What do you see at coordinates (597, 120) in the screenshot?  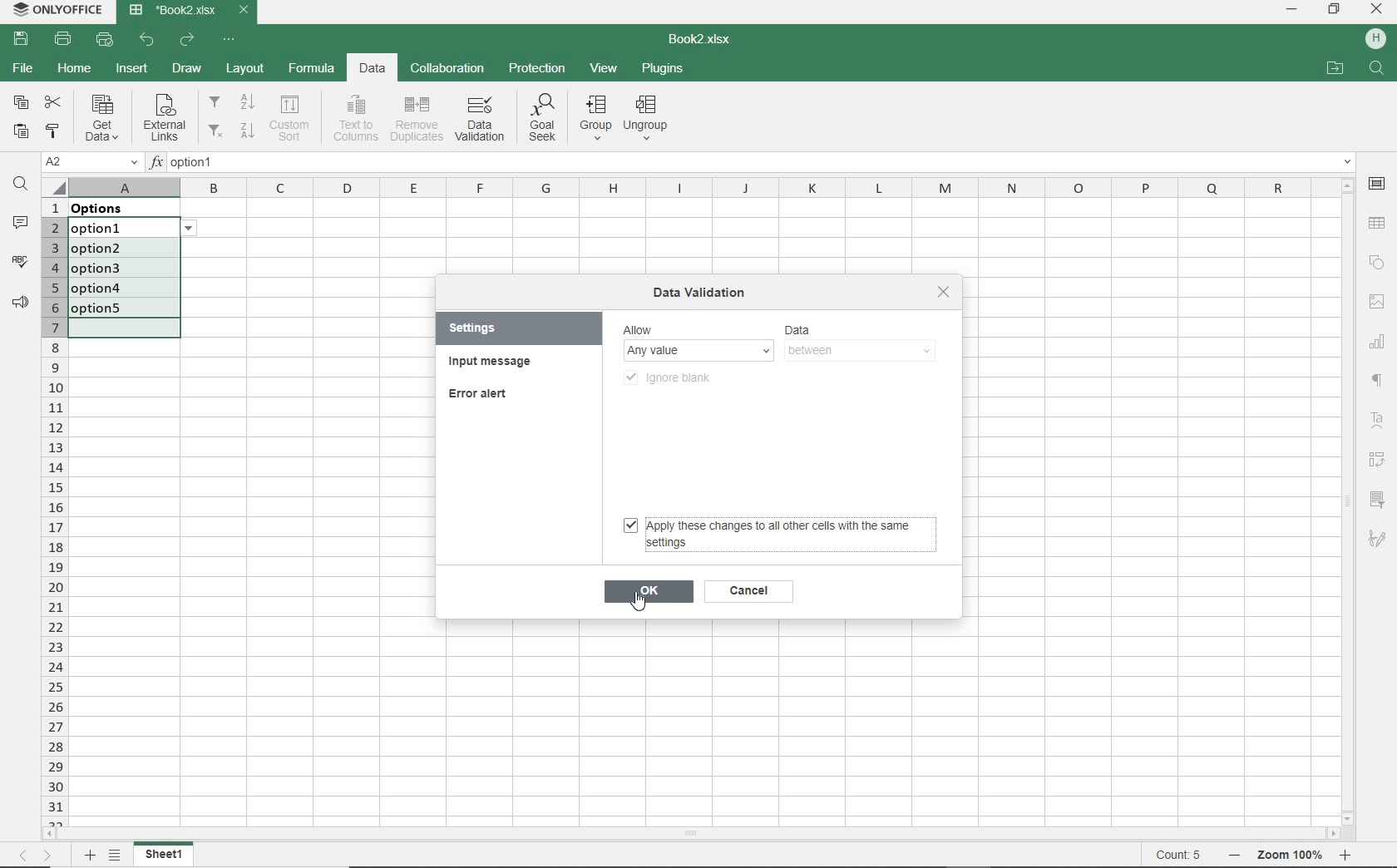 I see `group` at bounding box center [597, 120].